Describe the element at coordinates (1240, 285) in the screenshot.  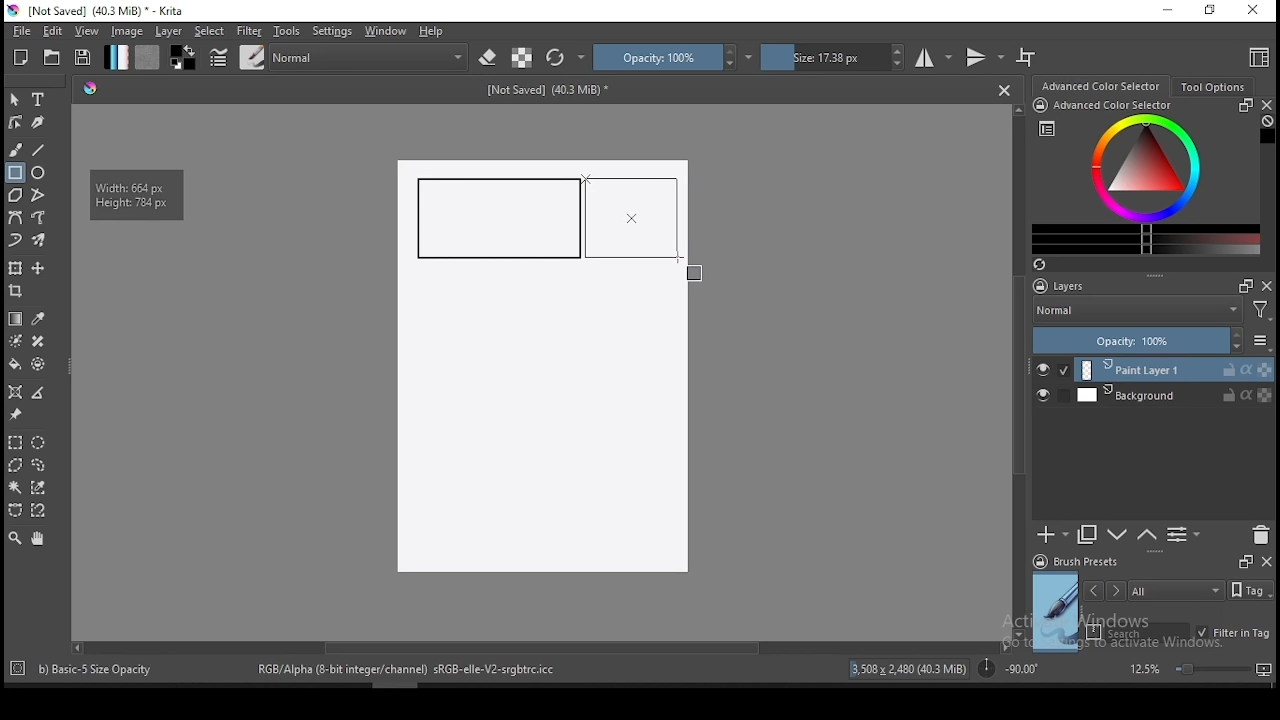
I see `Frames` at that location.